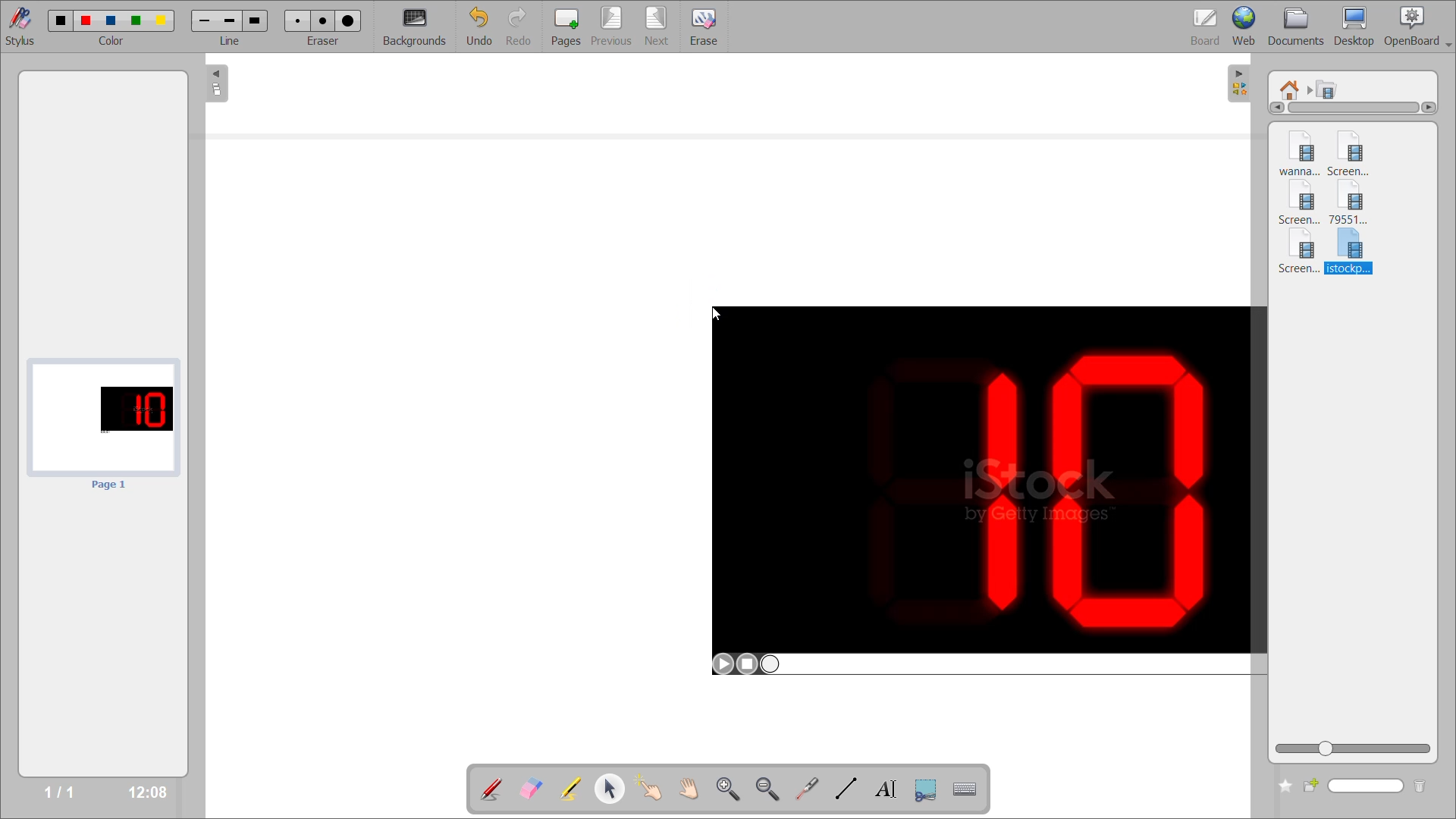 This screenshot has height=819, width=1456. I want to click on select and modify objects, so click(615, 789).